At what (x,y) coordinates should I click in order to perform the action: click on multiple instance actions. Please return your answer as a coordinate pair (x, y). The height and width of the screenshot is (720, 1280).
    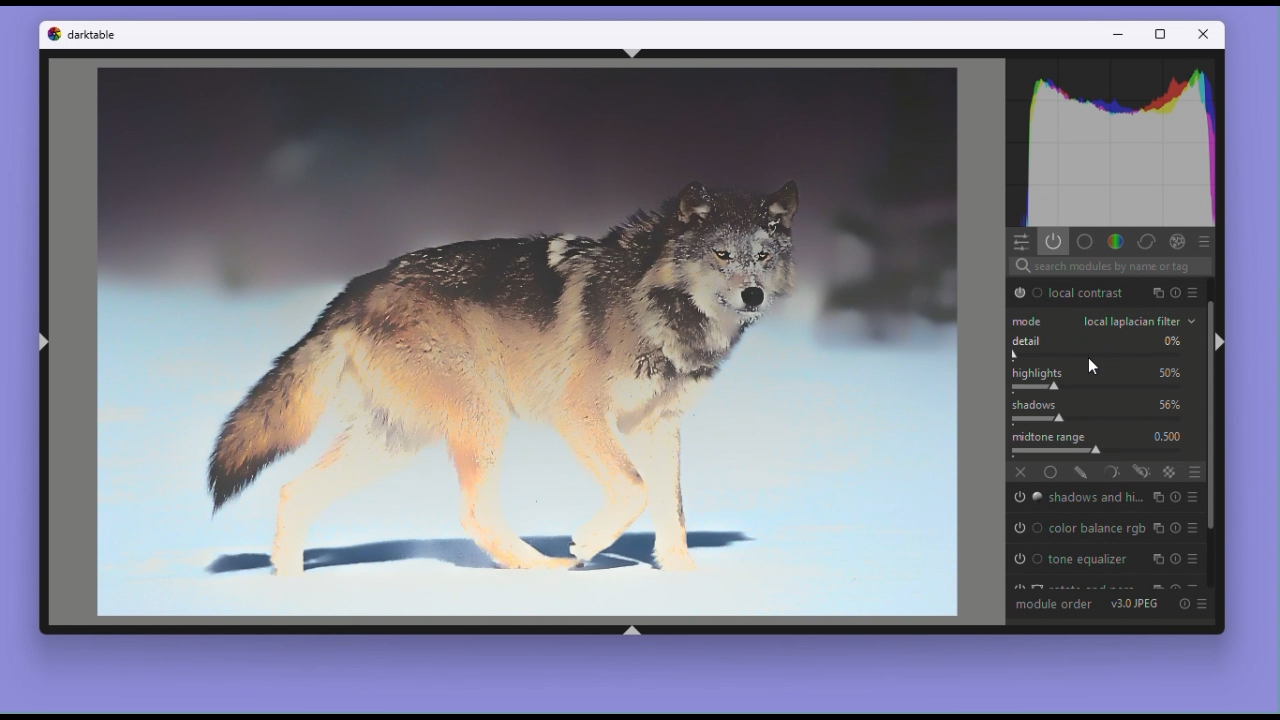
    Looking at the image, I should click on (1156, 497).